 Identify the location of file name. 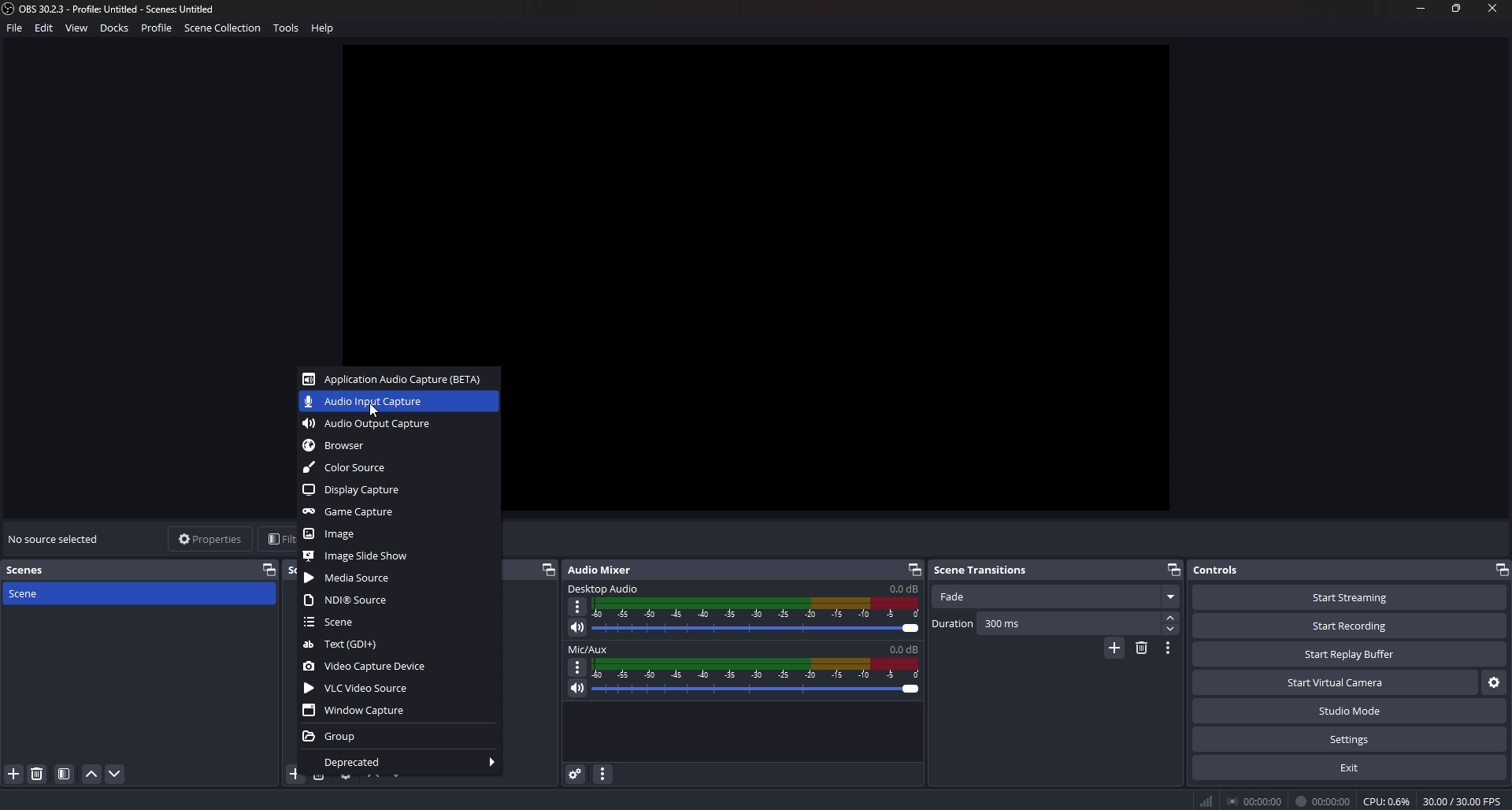
(111, 9).